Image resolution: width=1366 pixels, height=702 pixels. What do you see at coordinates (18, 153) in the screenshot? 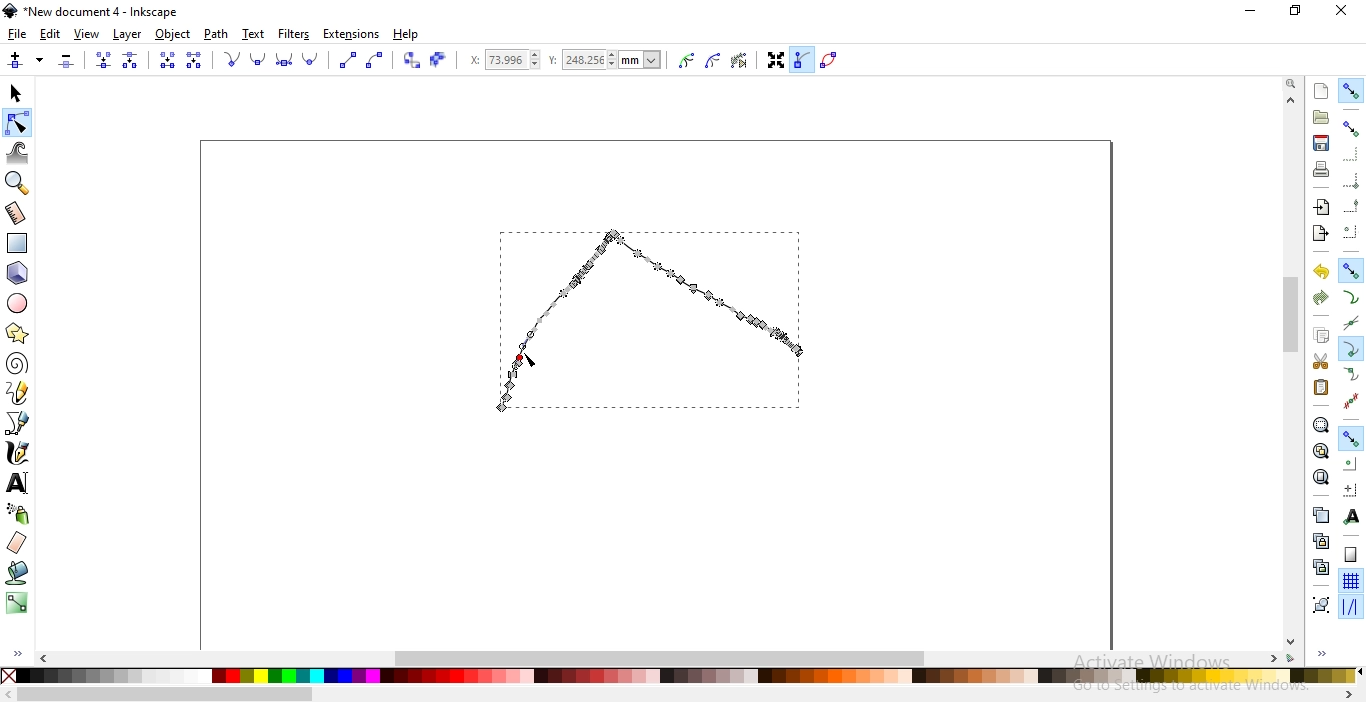
I see `tweak objects by sculpting or painting ` at bounding box center [18, 153].